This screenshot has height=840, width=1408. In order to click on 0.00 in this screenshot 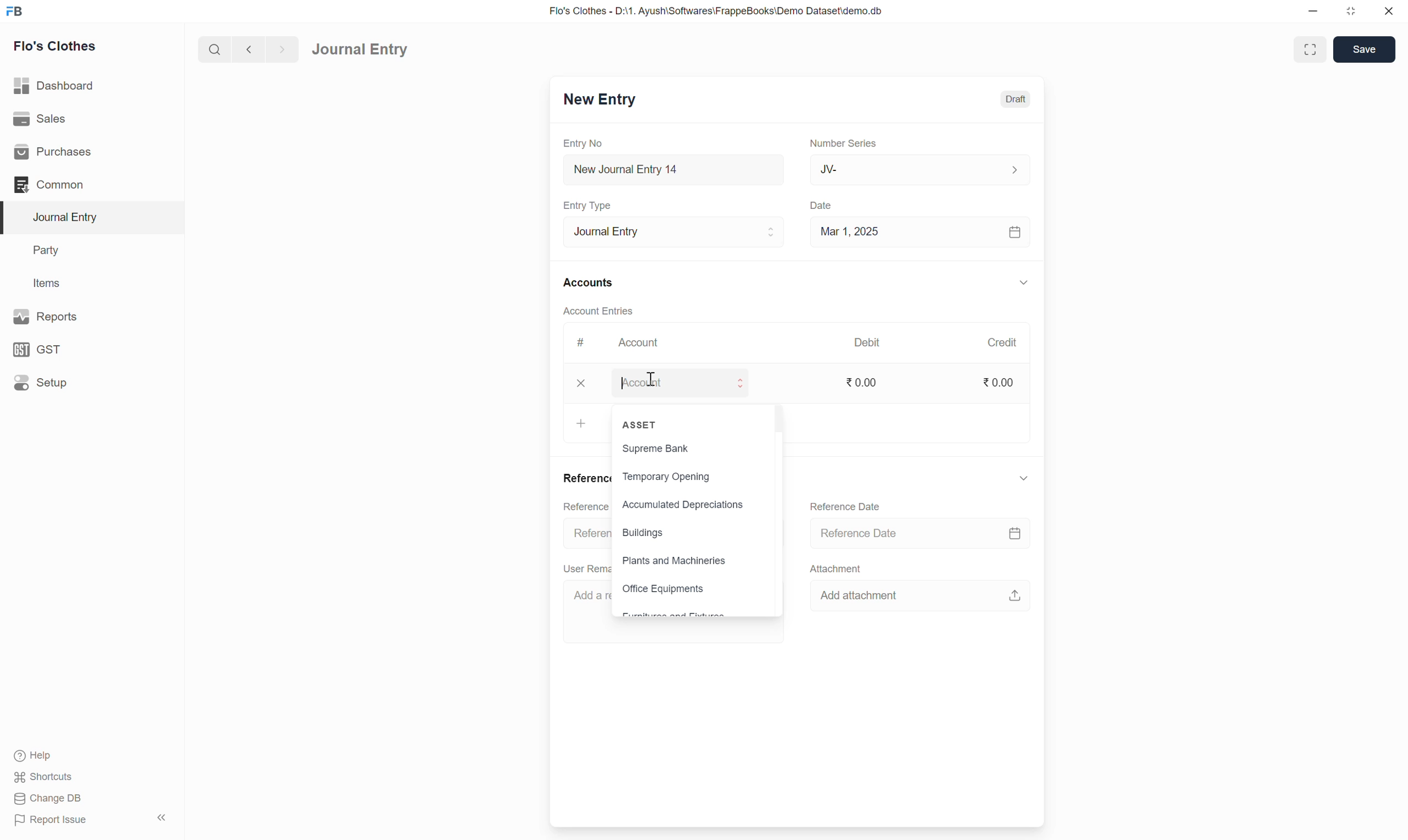, I will do `click(863, 382)`.